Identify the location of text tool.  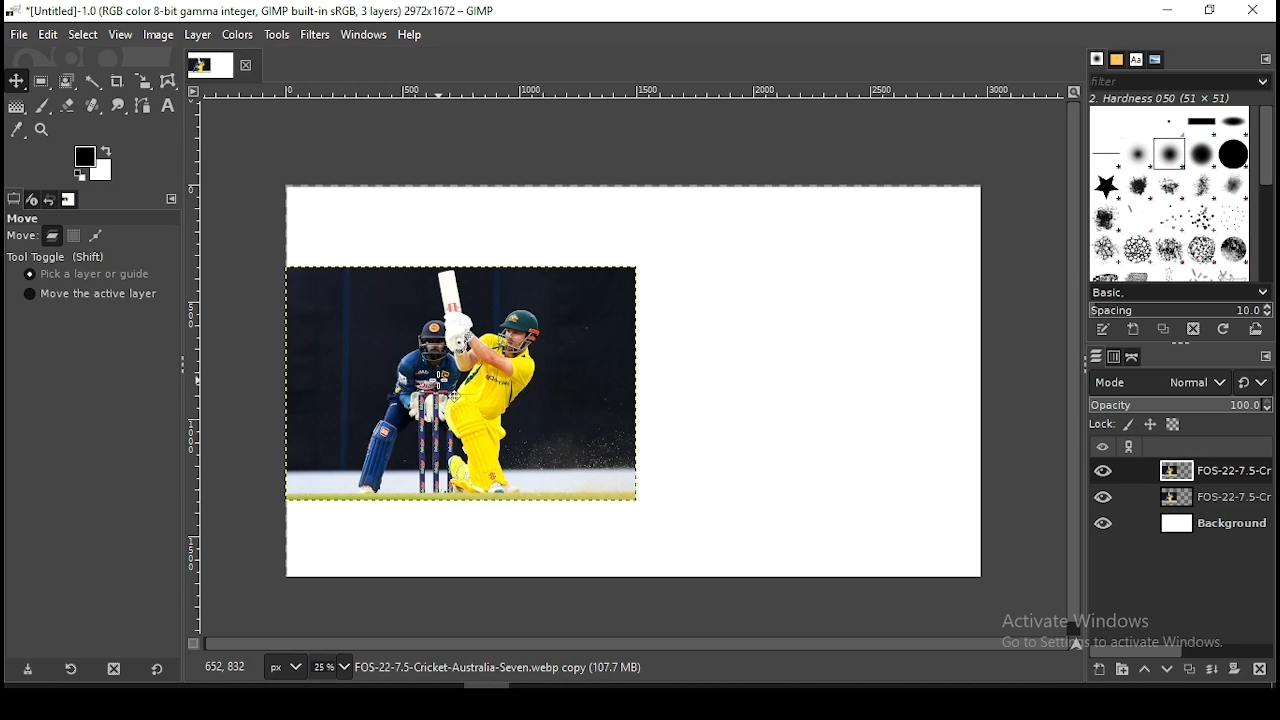
(166, 107).